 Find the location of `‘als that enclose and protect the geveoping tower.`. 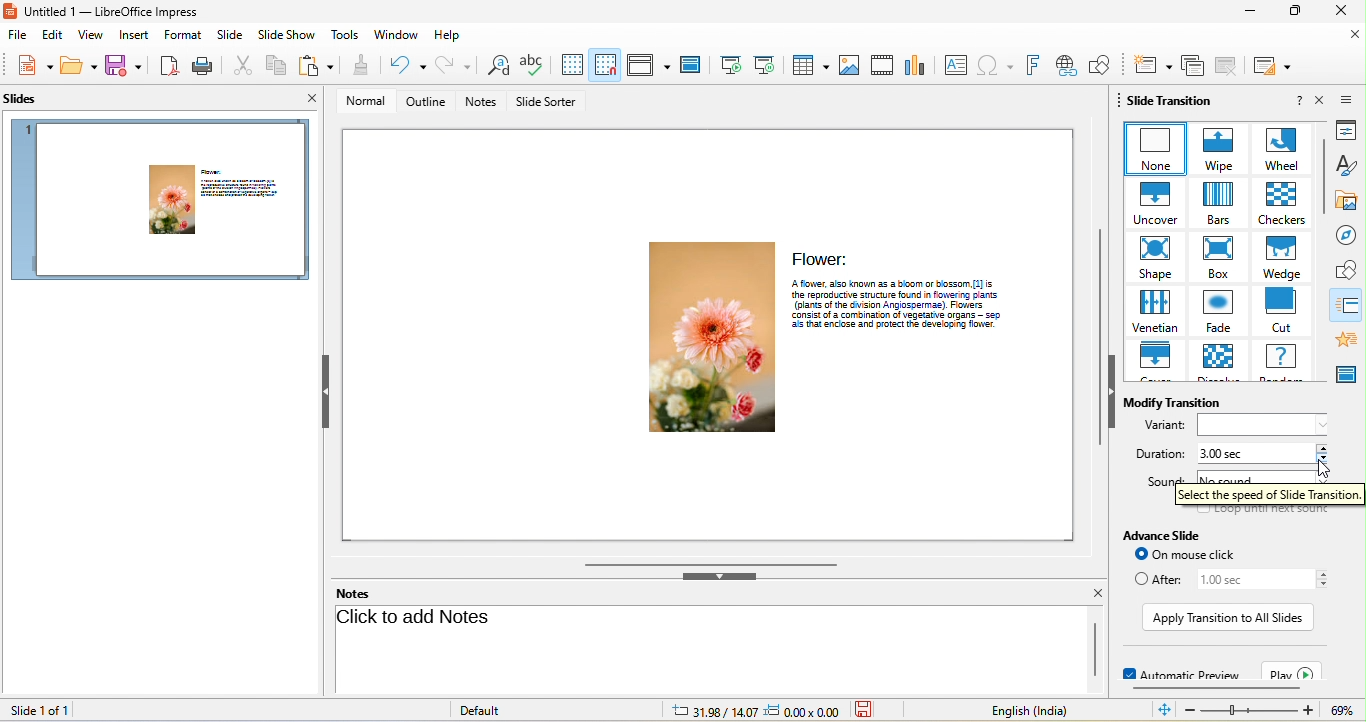

‘als that enclose and protect the geveoping tower. is located at coordinates (907, 326).